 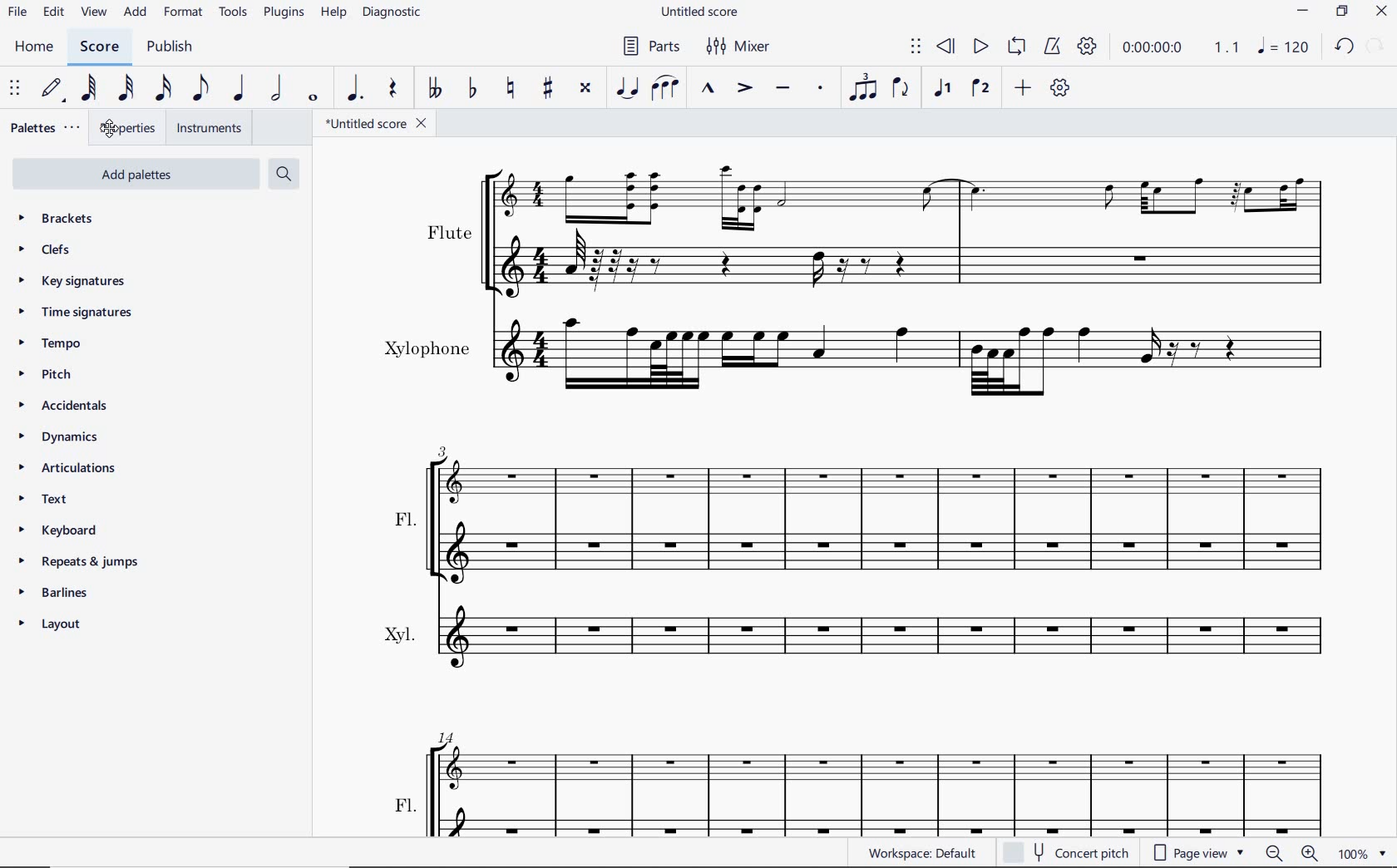 I want to click on WORKSPACE: DEFAULT, so click(x=921, y=855).